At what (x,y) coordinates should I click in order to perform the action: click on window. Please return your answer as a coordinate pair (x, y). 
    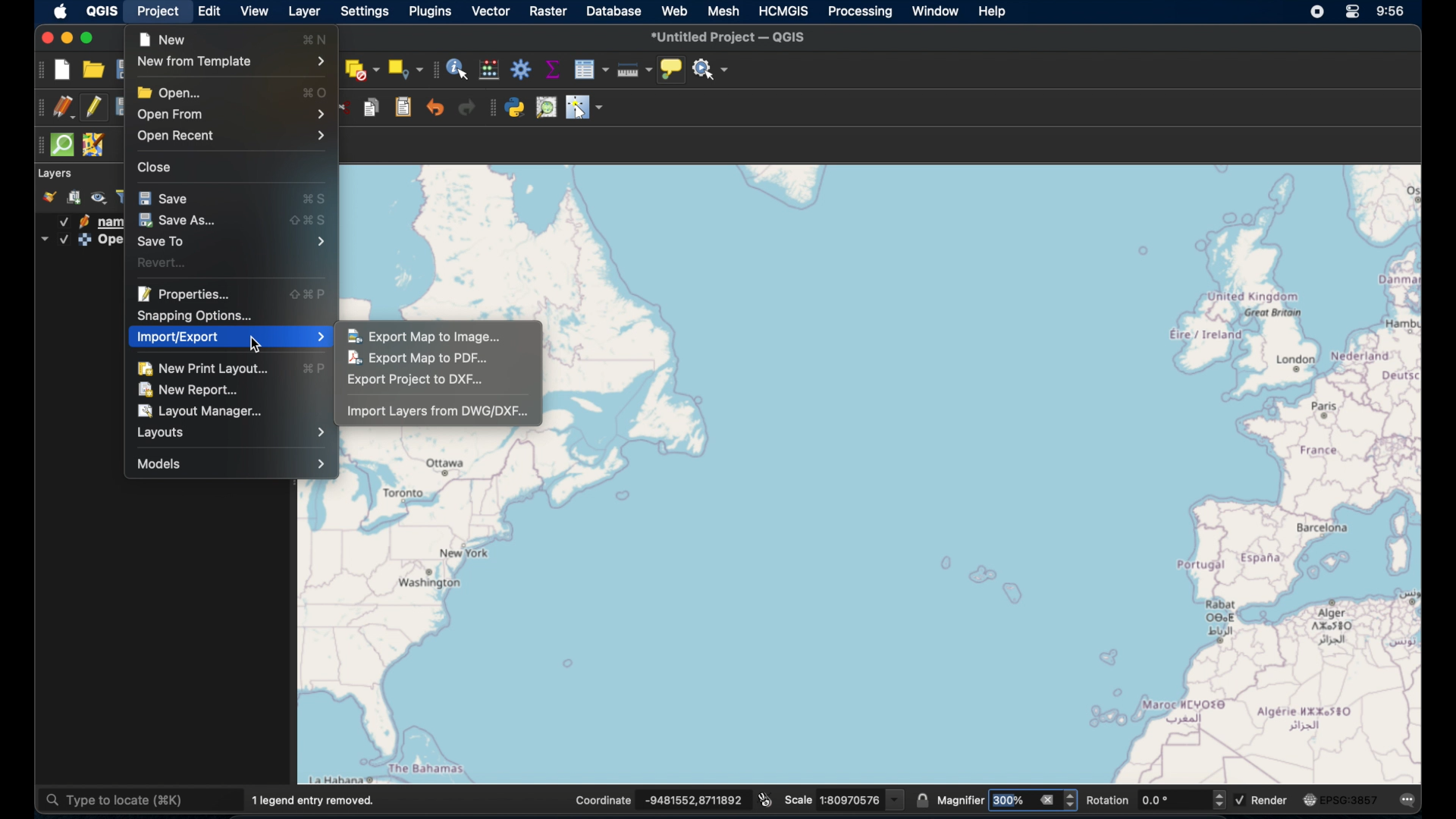
    Looking at the image, I should click on (934, 11).